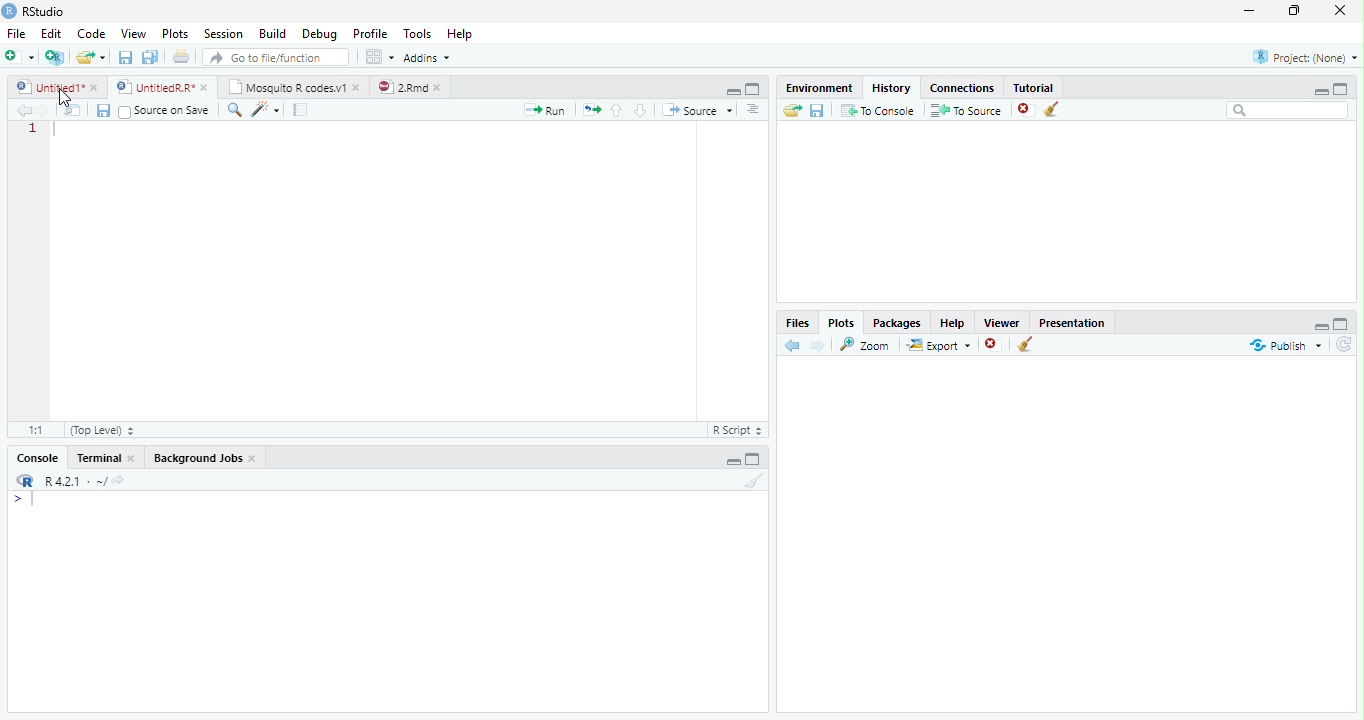  I want to click on Go to previous section of code, so click(617, 112).